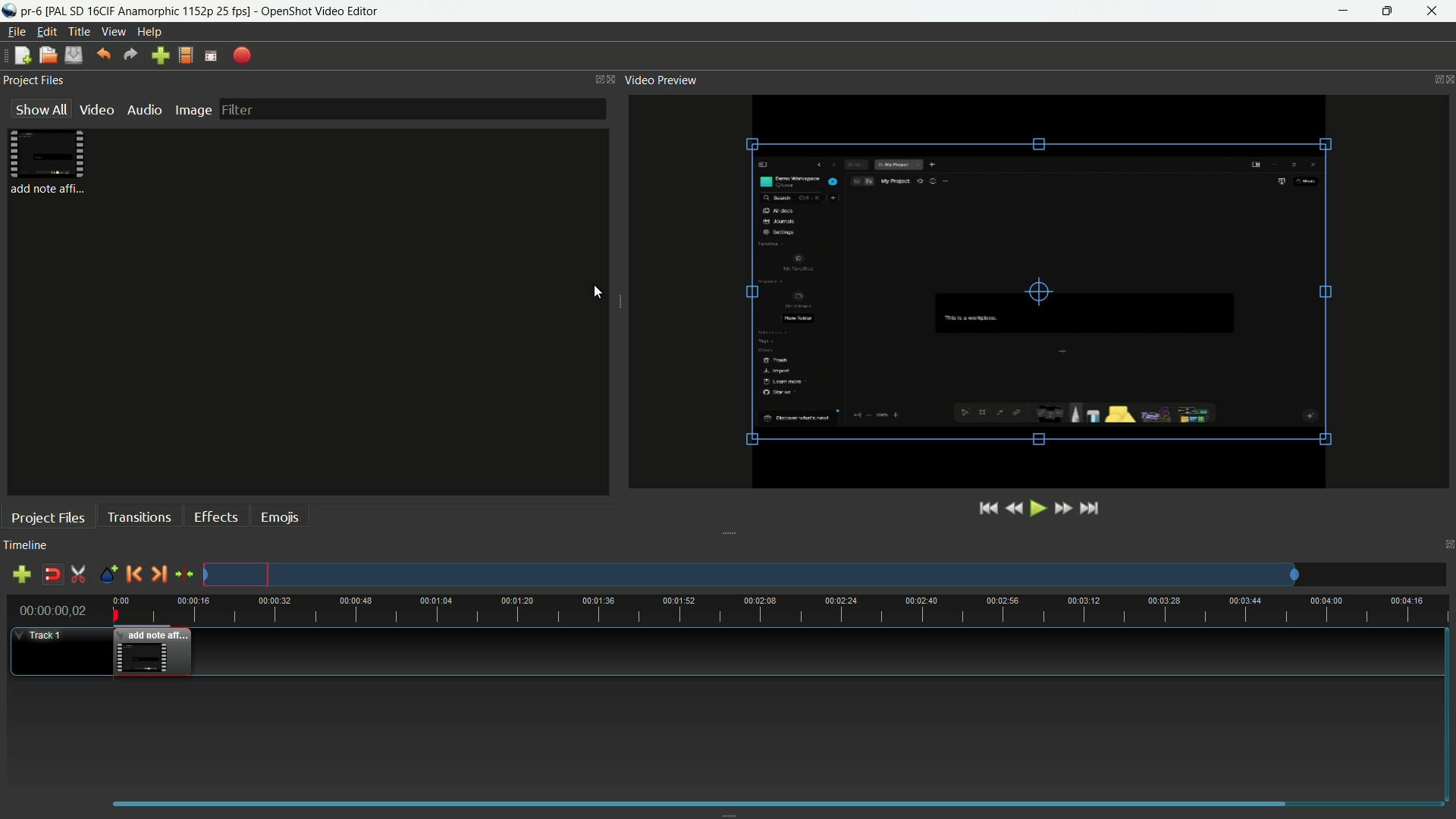  I want to click on title menu, so click(79, 31).